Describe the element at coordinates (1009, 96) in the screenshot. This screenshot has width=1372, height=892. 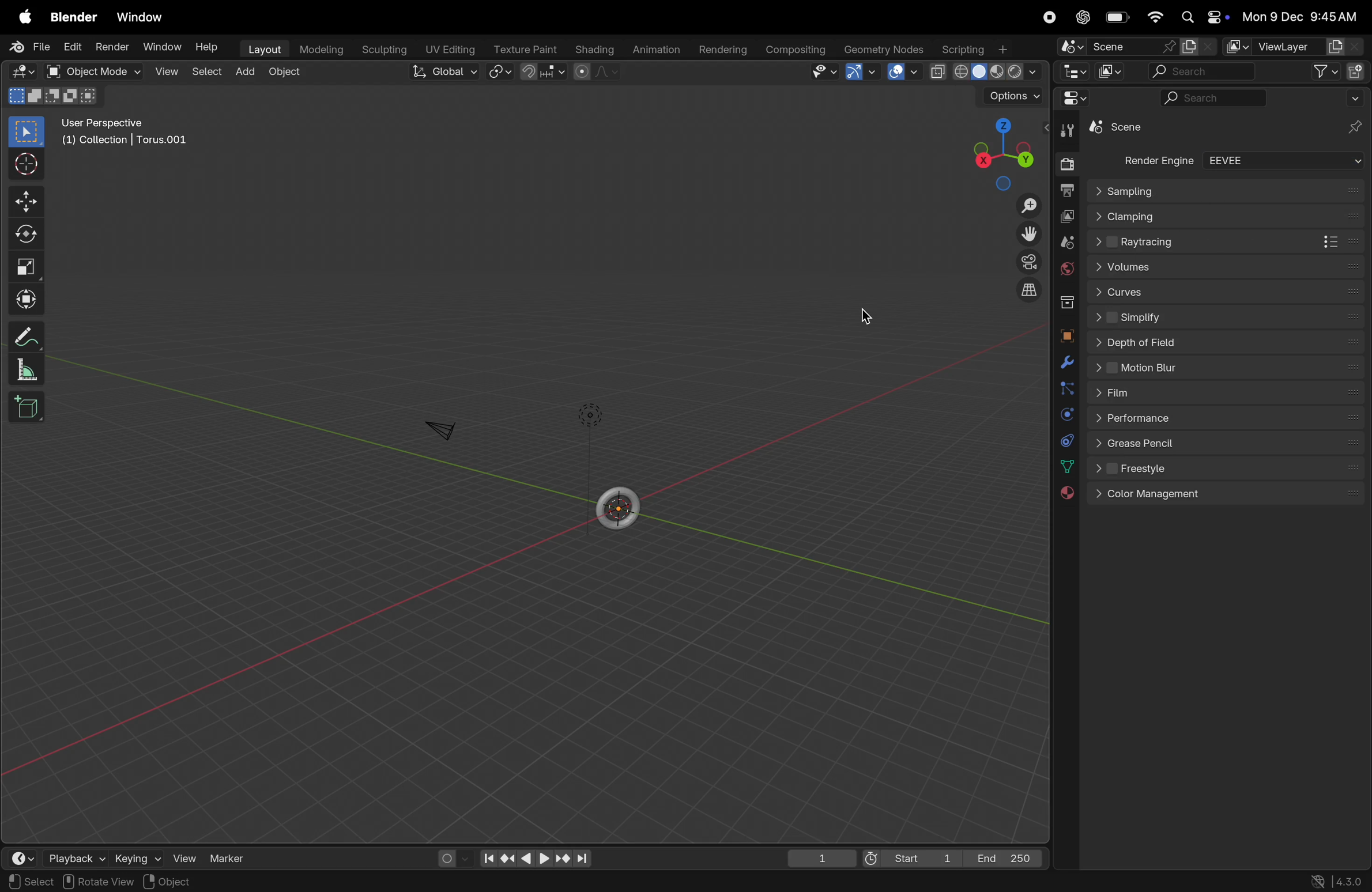
I see `Options` at that location.